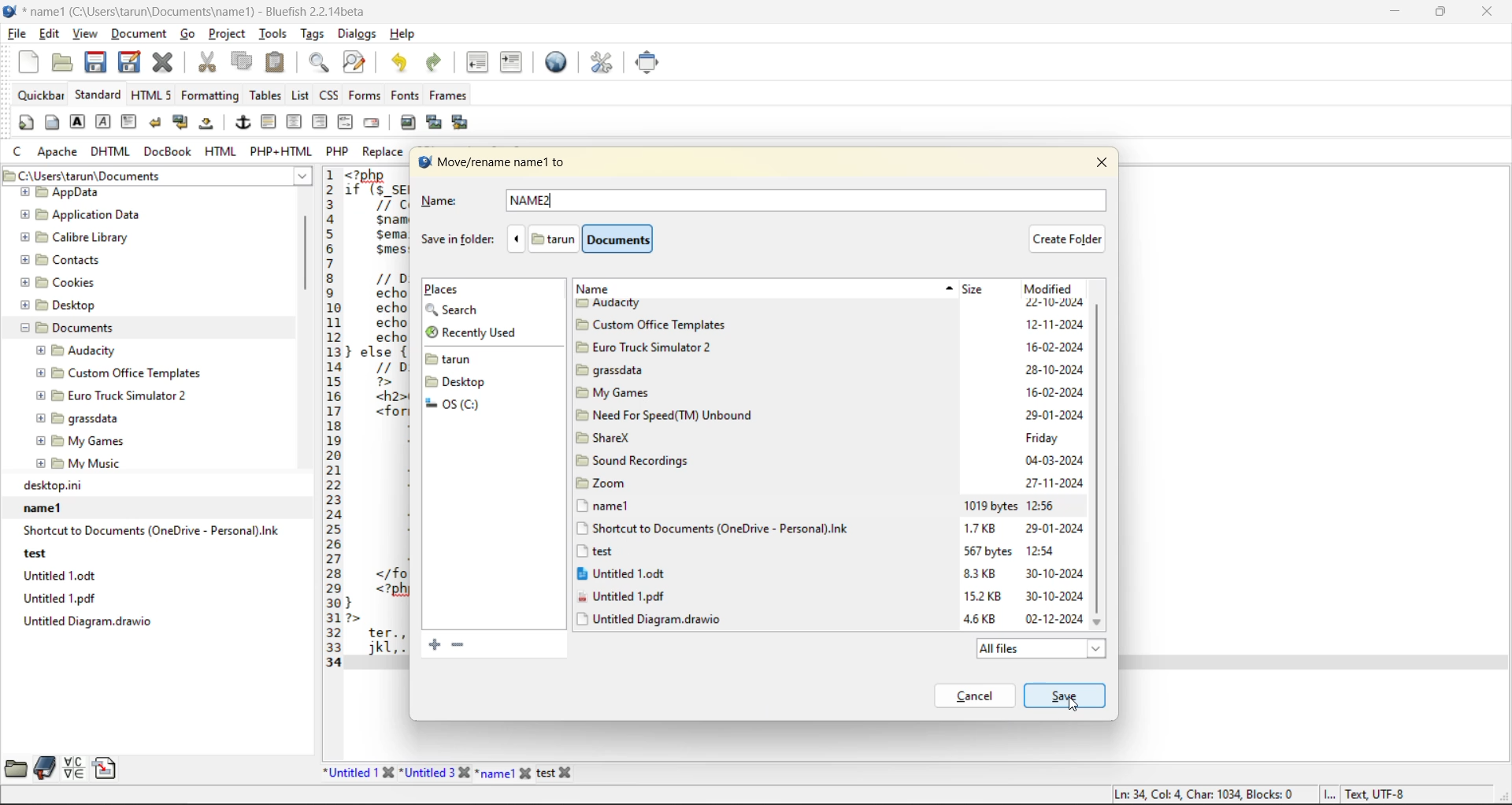 The width and height of the screenshot is (1512, 805). I want to click on maximize, so click(1442, 15).